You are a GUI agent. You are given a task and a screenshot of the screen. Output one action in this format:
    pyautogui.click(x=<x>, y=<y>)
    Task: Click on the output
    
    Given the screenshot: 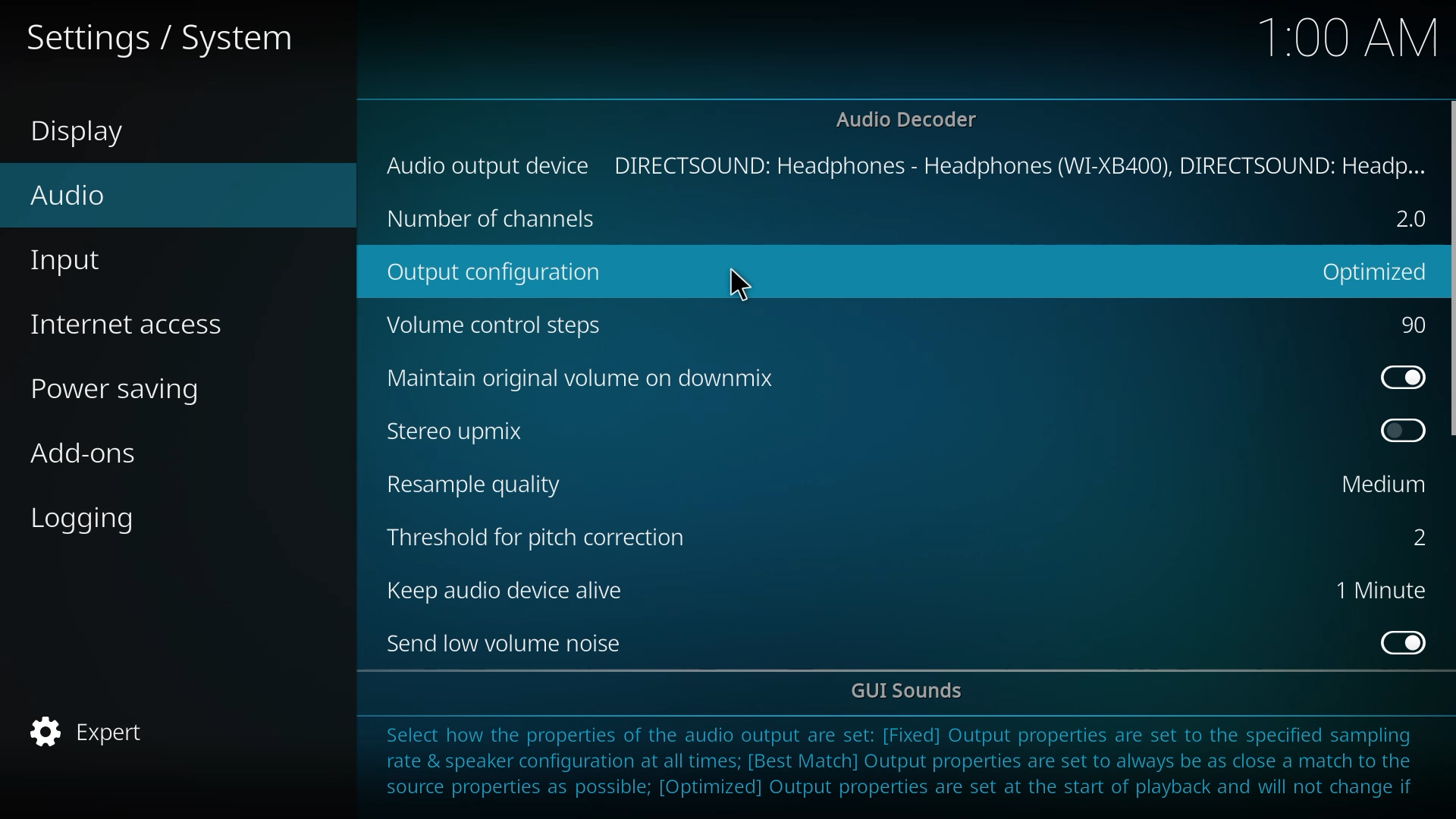 What is the action you would take?
    pyautogui.click(x=902, y=165)
    